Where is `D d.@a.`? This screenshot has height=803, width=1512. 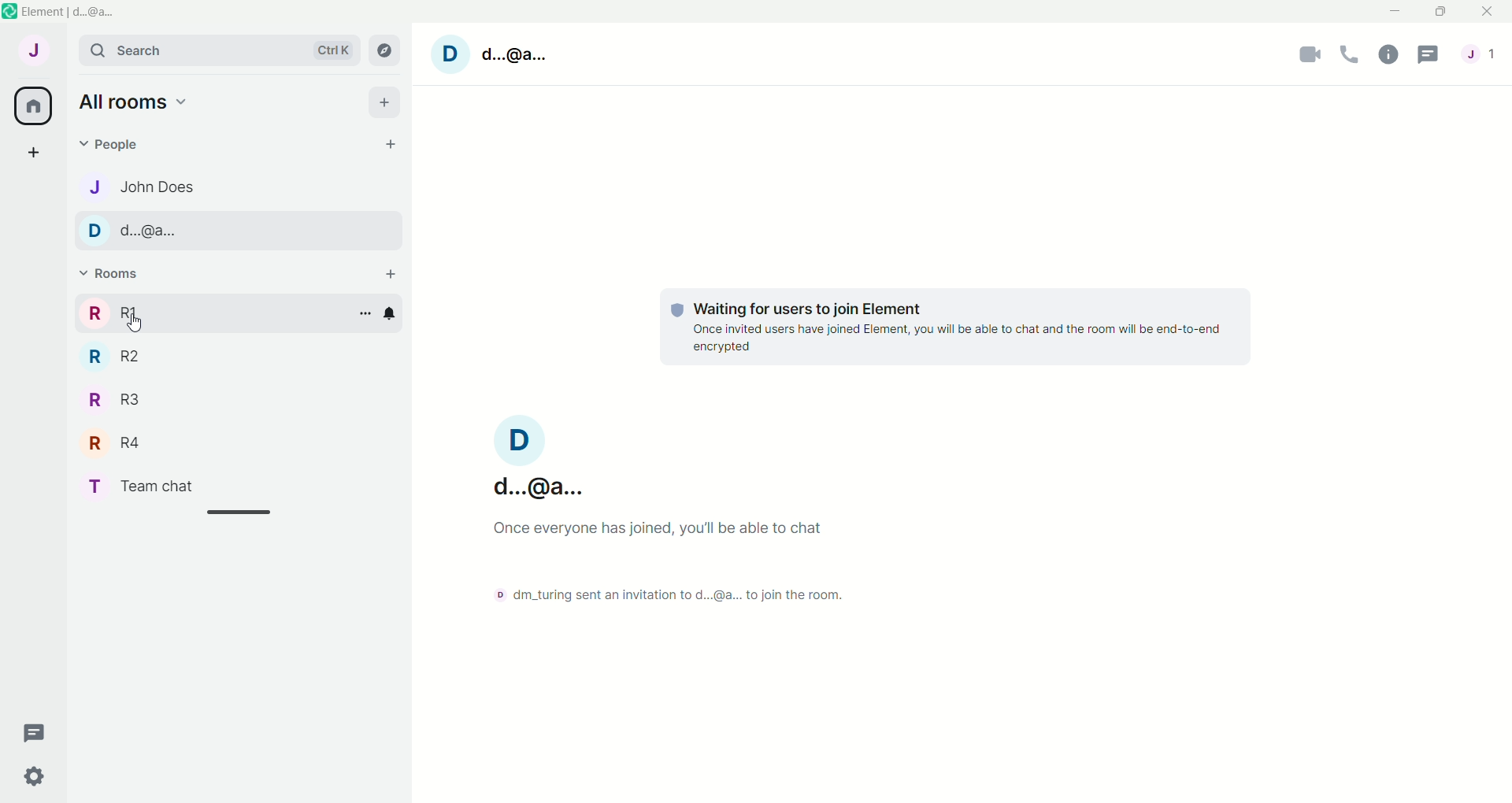
D d.@a. is located at coordinates (133, 231).